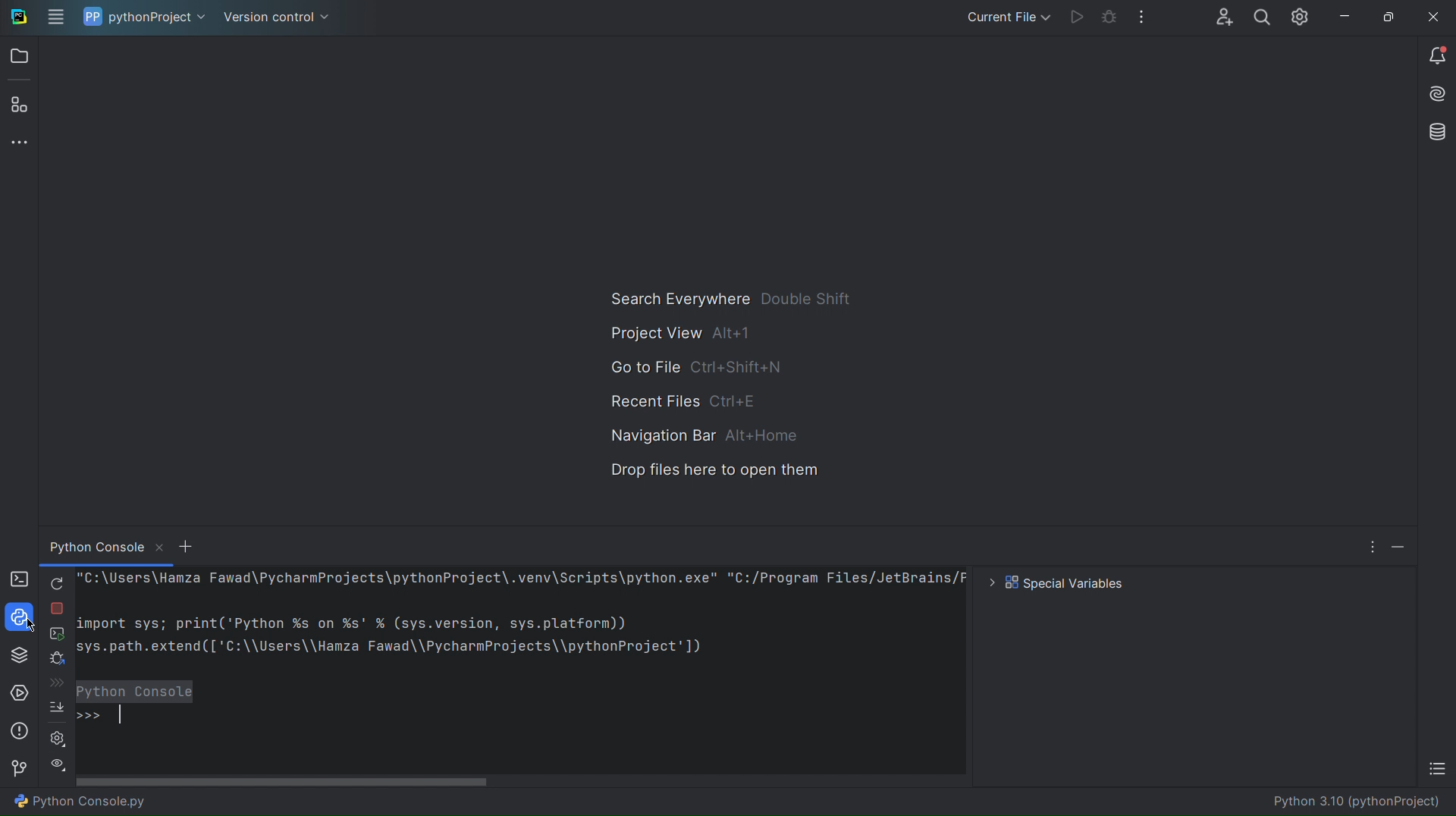  Describe the element at coordinates (59, 610) in the screenshot. I see `Stop Console` at that location.